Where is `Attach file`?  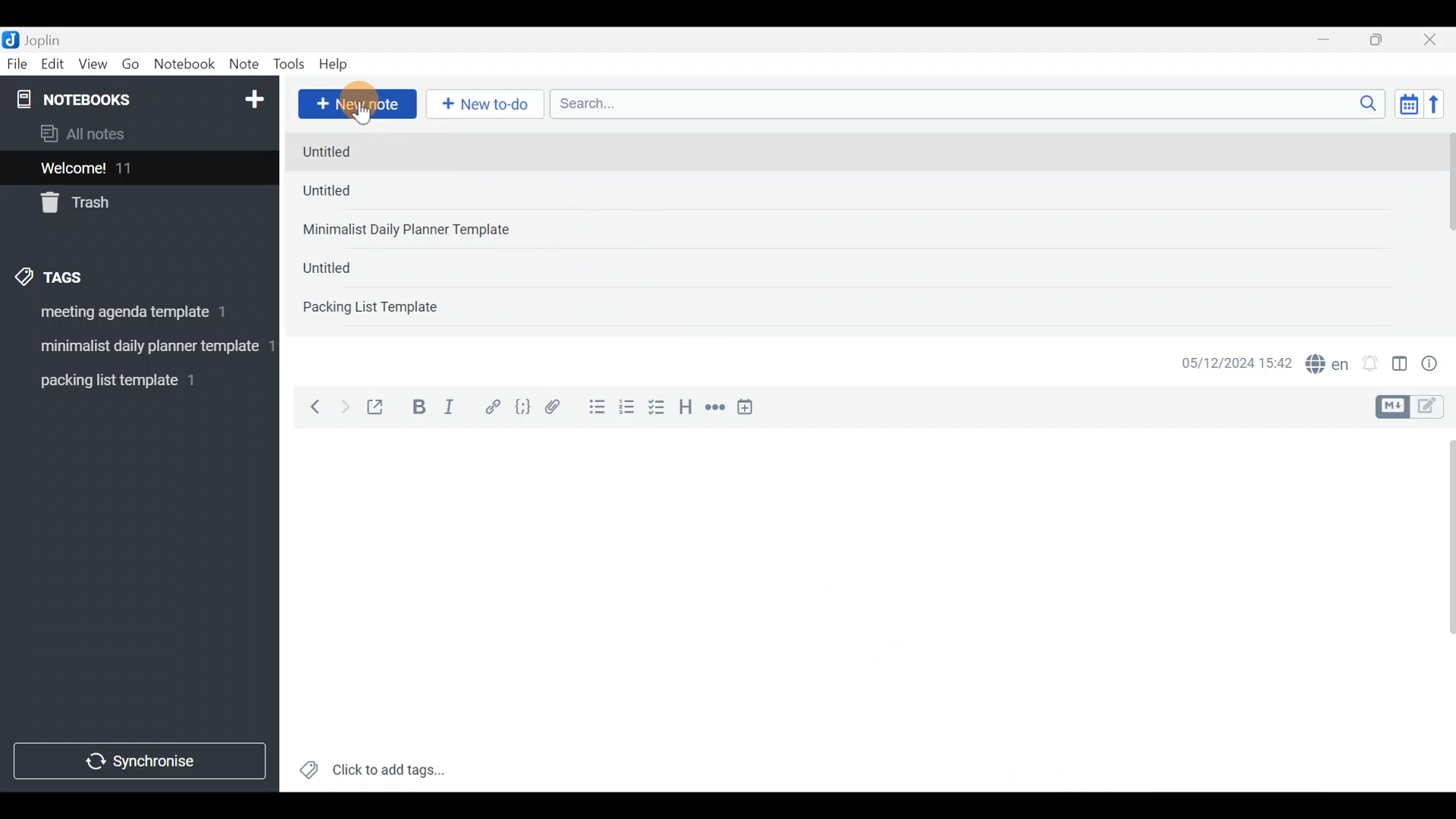 Attach file is located at coordinates (557, 409).